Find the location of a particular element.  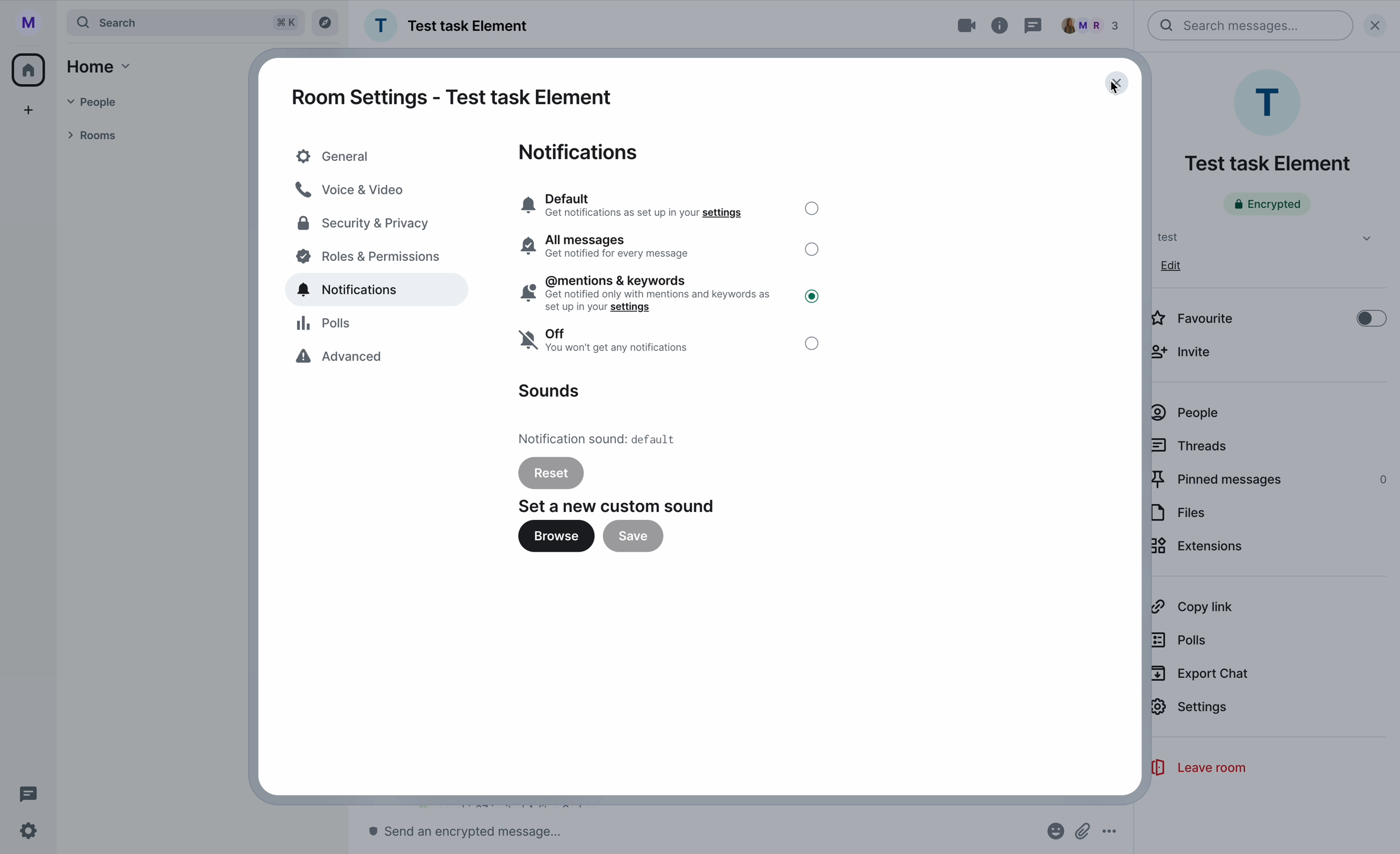

people is located at coordinates (1095, 25).